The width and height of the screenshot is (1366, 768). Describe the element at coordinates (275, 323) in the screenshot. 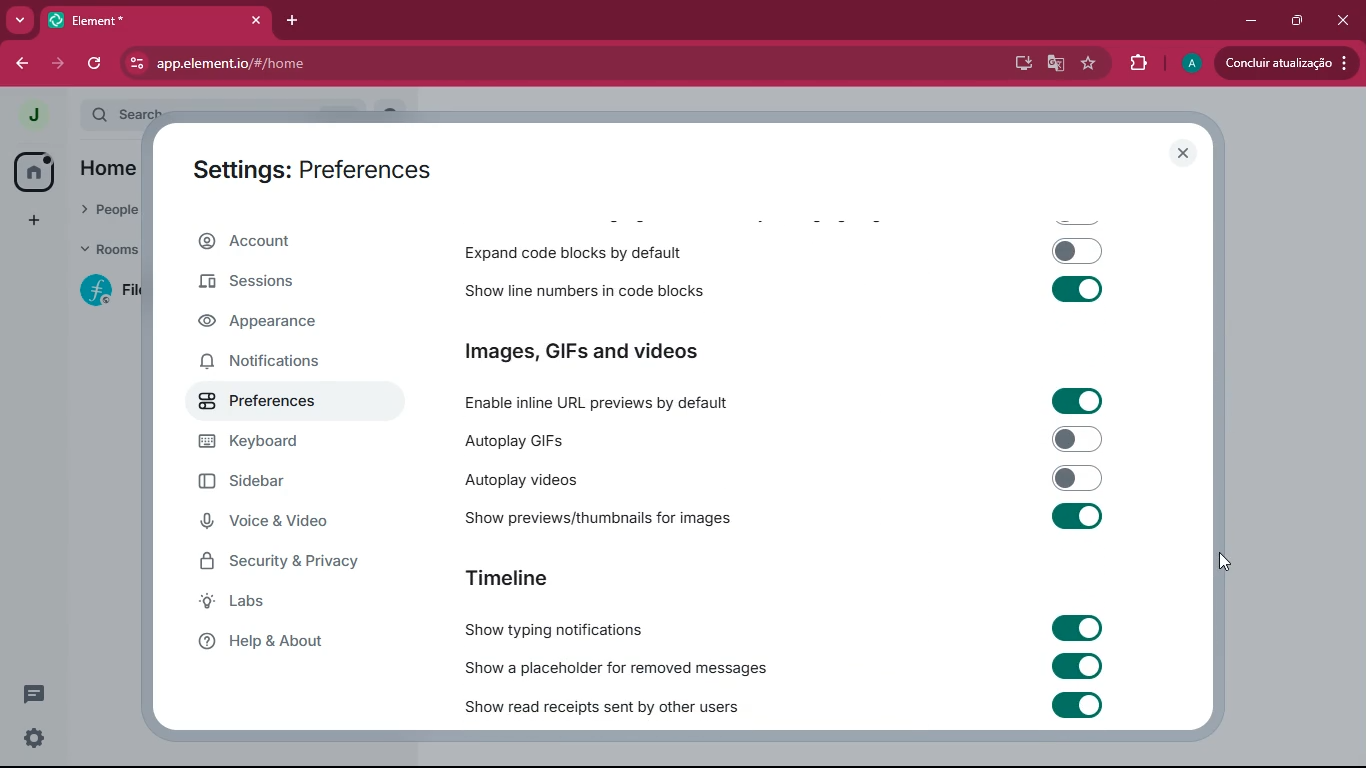

I see `appearance` at that location.